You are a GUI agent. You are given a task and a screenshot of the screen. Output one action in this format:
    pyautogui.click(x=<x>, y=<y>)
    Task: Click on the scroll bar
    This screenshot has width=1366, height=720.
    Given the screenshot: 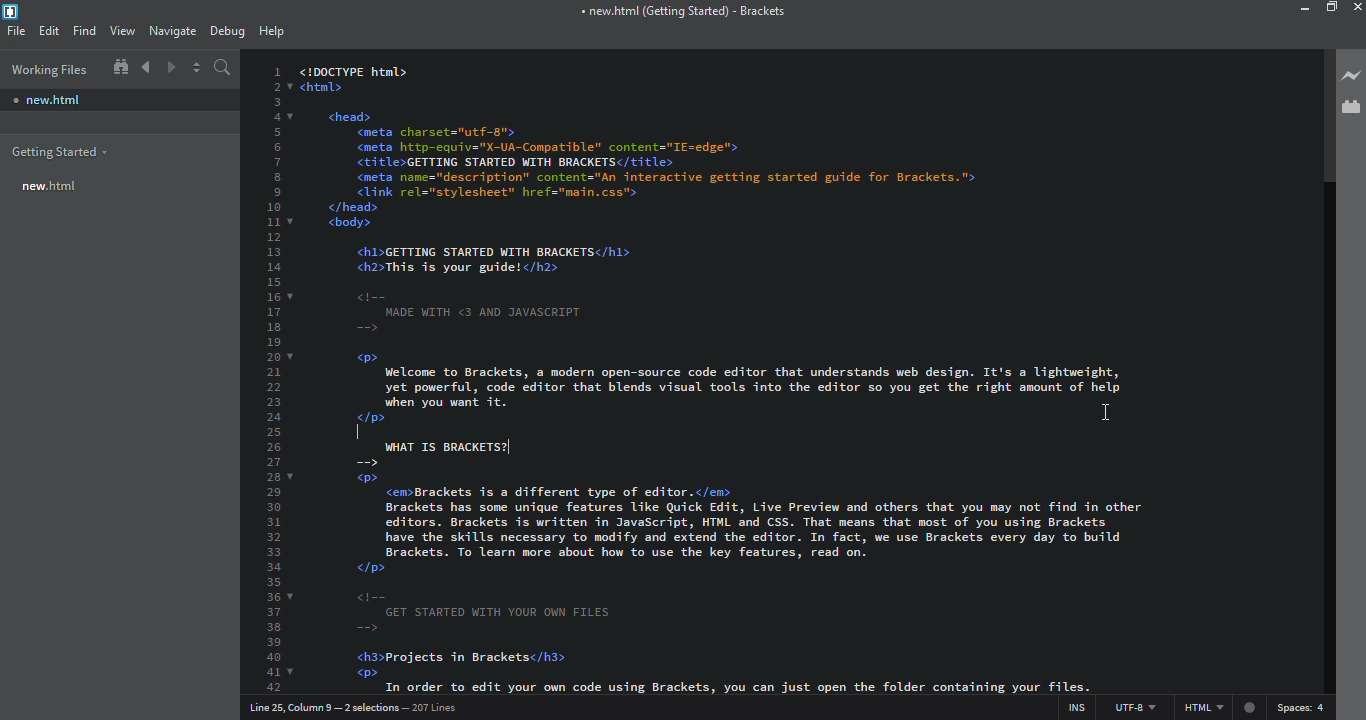 What is the action you would take?
    pyautogui.click(x=1320, y=116)
    